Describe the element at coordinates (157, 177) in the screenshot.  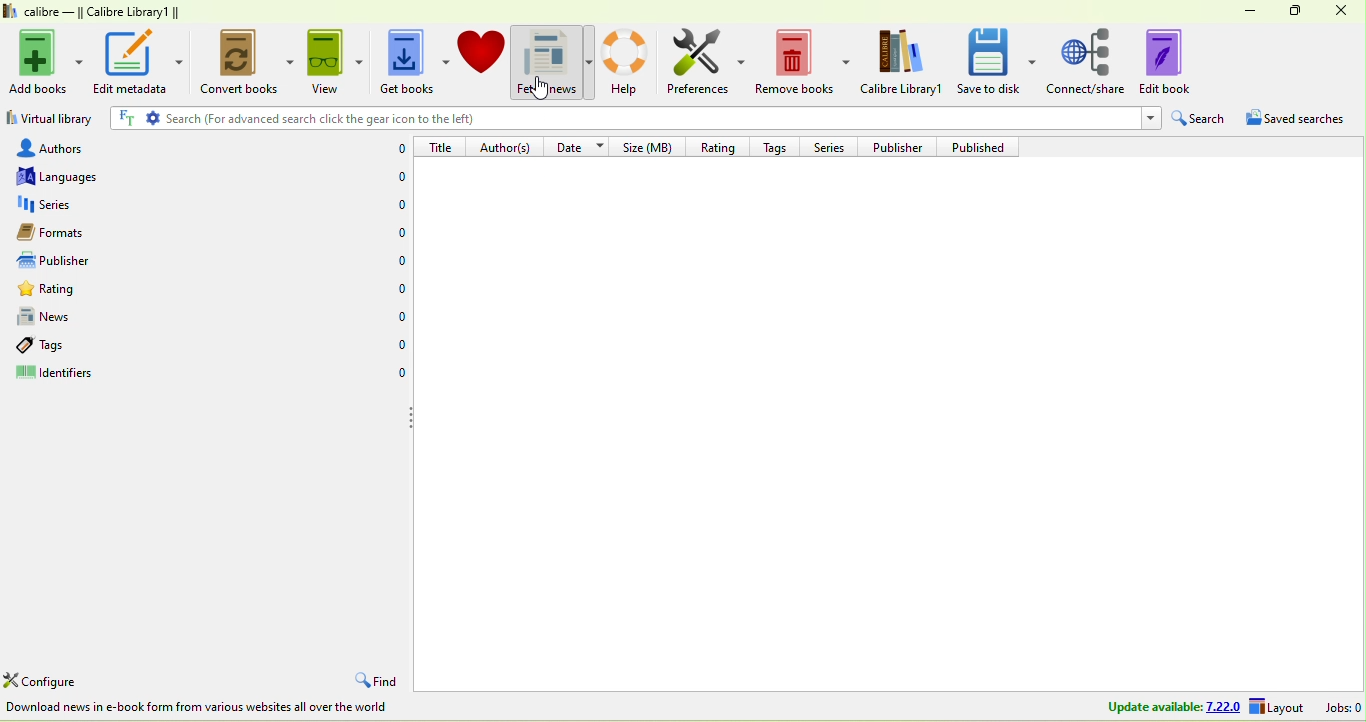
I see `languages` at that location.